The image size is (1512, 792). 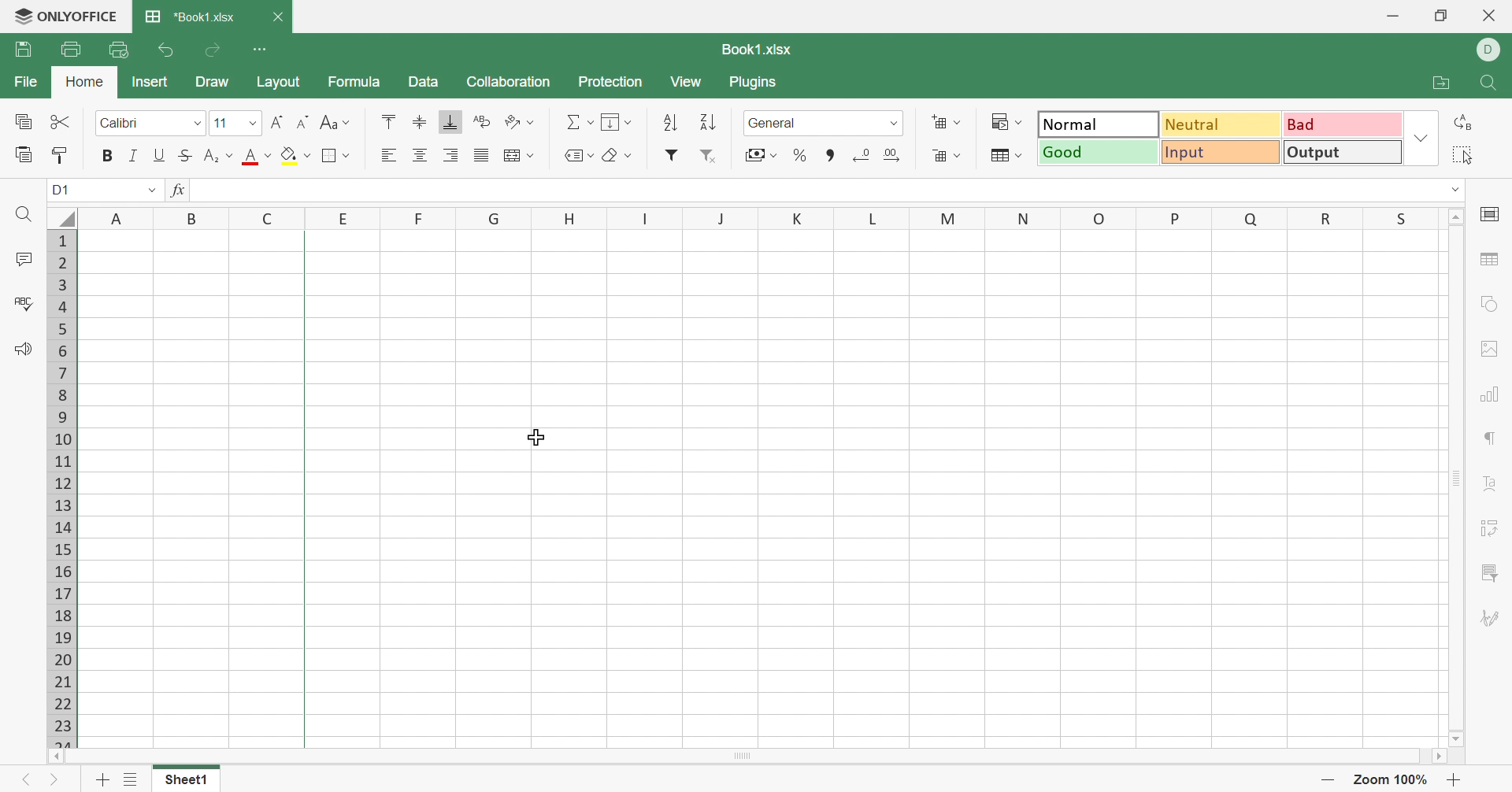 I want to click on Increase decimals, so click(x=893, y=156).